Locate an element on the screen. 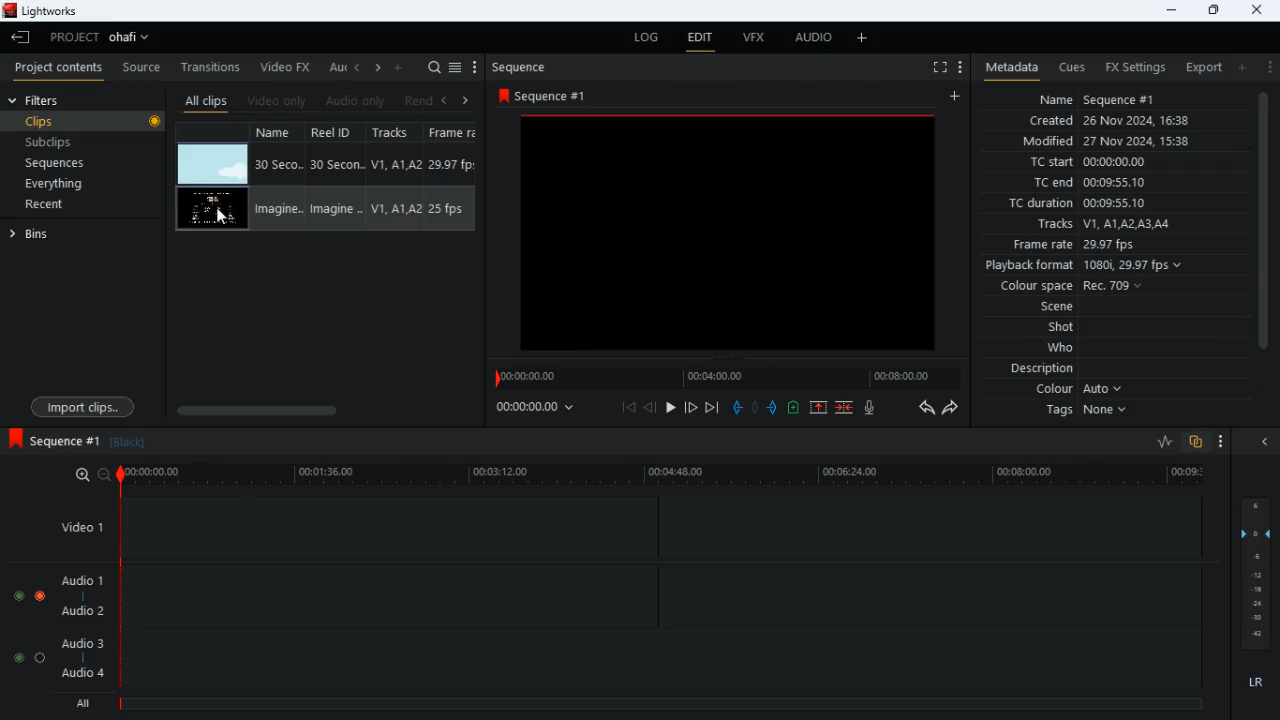  everything is located at coordinates (60, 186).